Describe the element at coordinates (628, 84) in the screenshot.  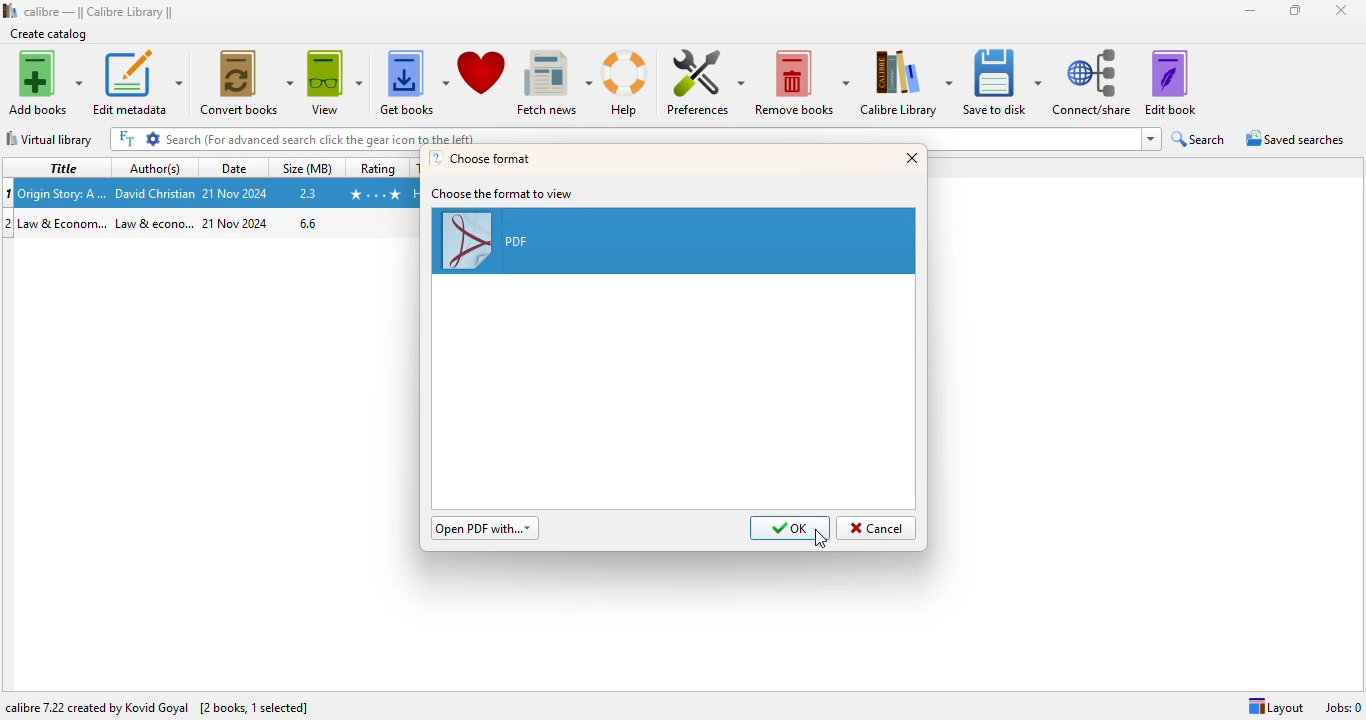
I see `help` at that location.